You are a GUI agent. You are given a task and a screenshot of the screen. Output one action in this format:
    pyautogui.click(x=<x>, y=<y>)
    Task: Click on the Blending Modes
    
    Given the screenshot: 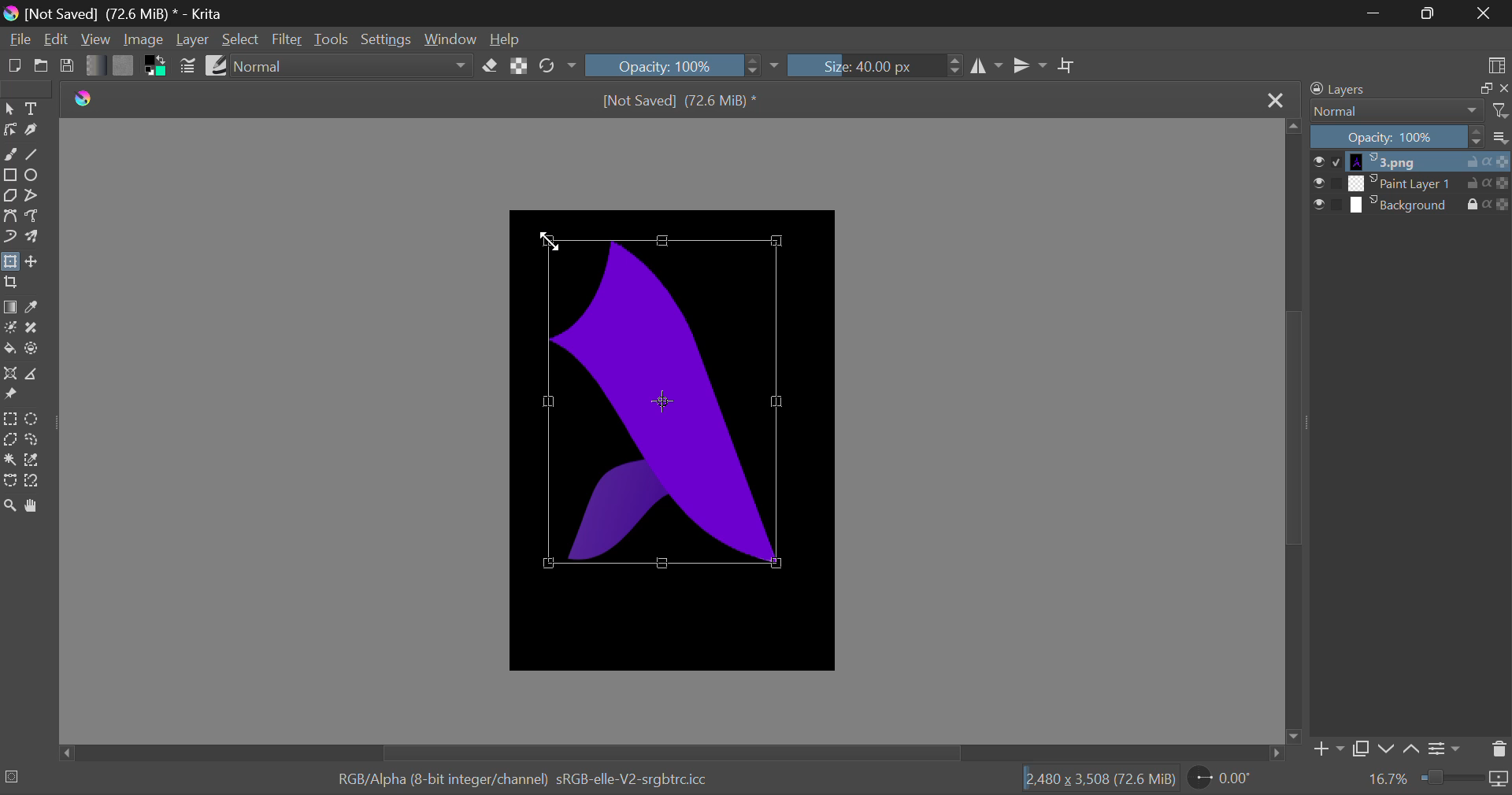 What is the action you would take?
    pyautogui.click(x=1395, y=113)
    